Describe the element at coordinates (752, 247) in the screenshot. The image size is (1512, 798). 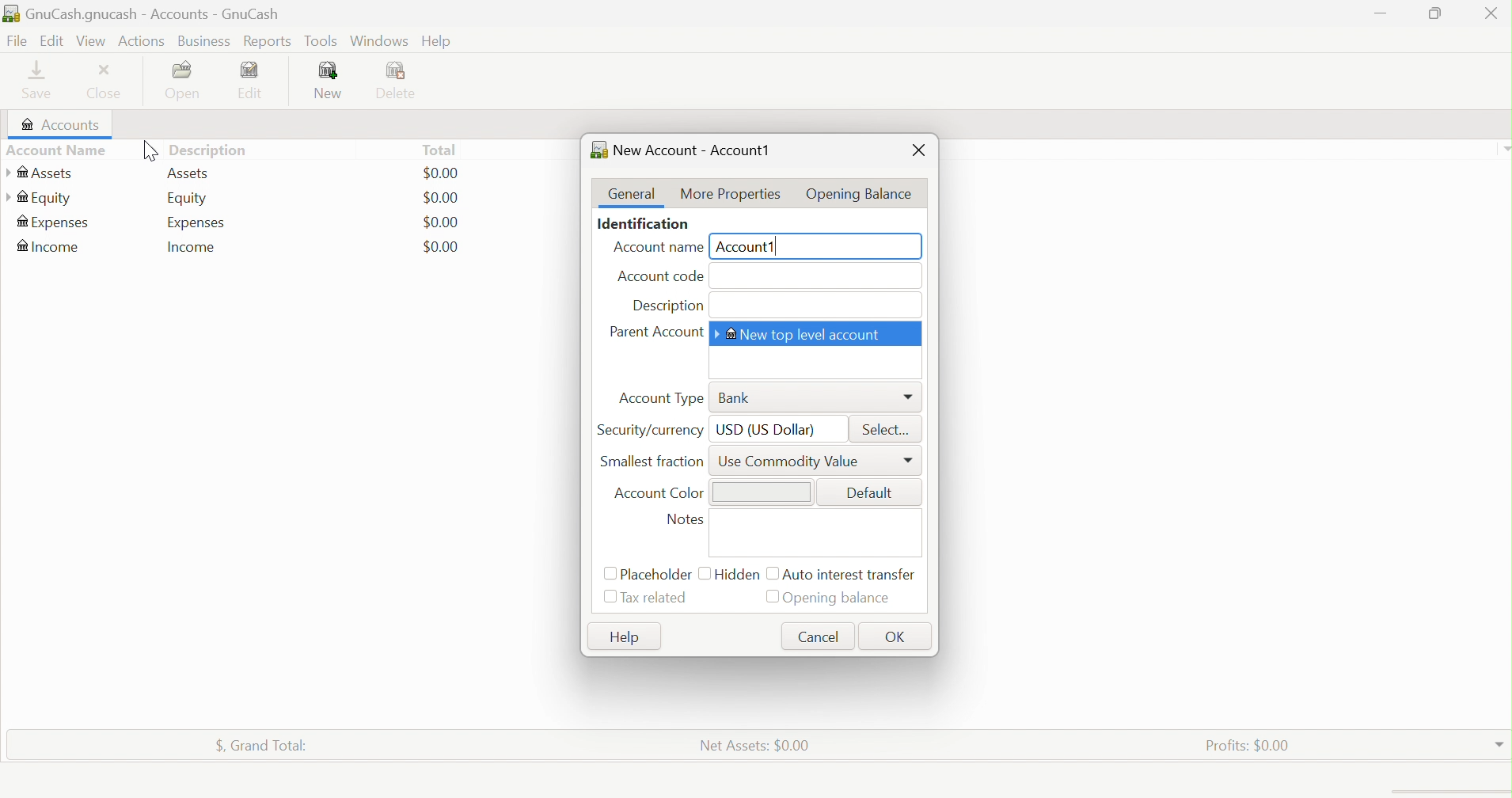
I see `Account1` at that location.